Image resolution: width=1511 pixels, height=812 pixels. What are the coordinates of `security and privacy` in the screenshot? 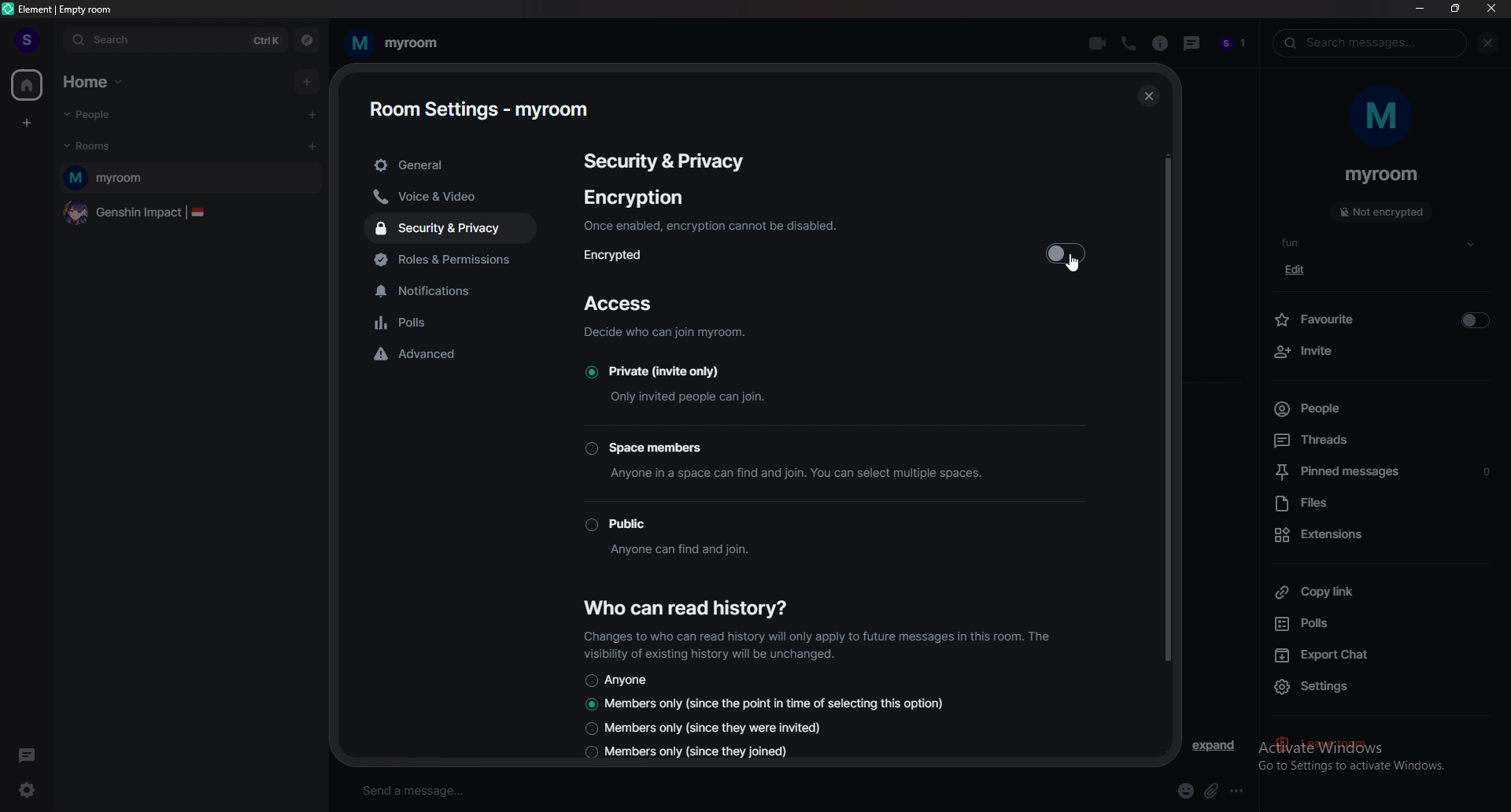 It's located at (450, 229).